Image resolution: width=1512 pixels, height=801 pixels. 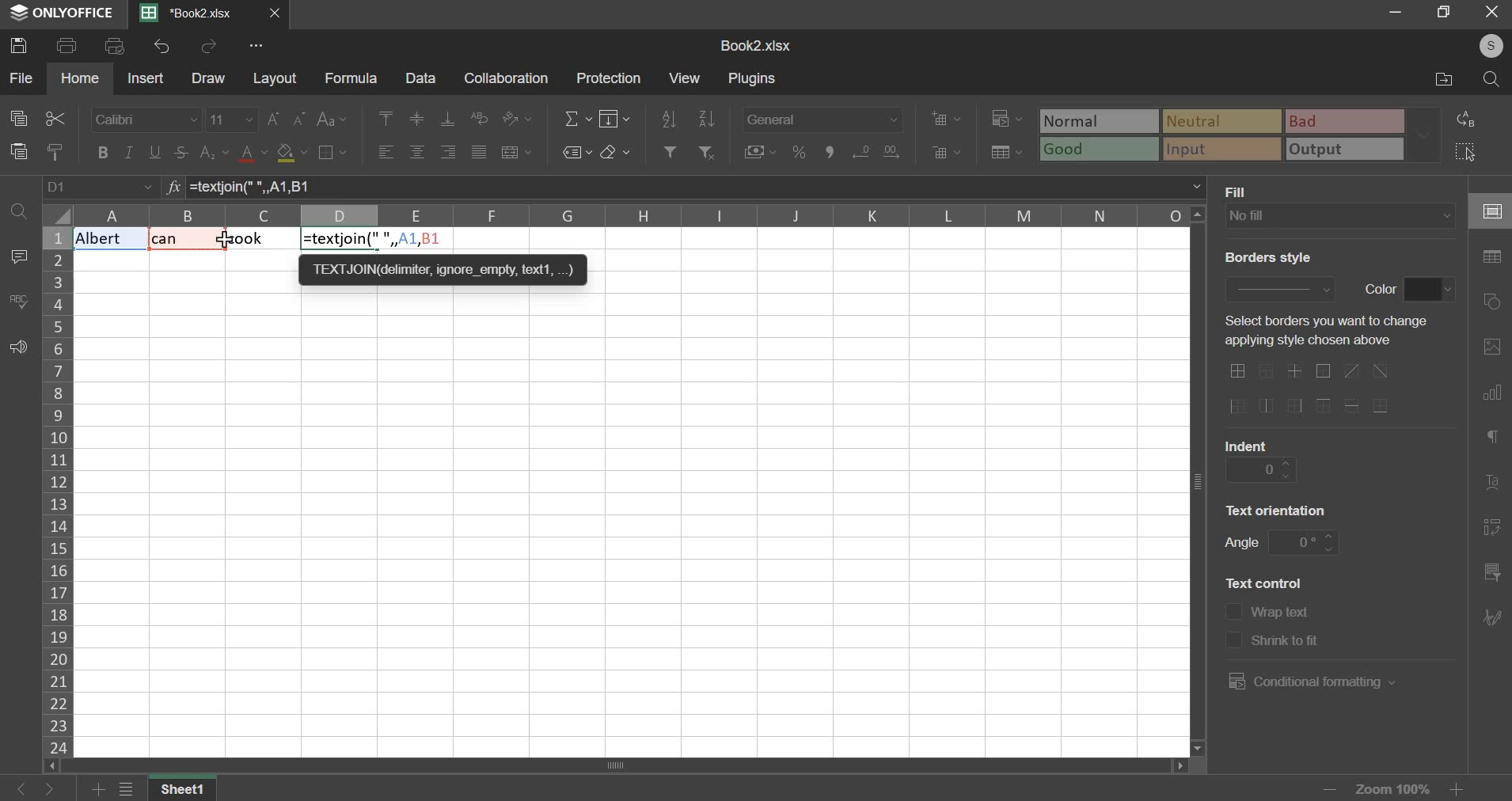 What do you see at coordinates (145, 120) in the screenshot?
I see `font` at bounding box center [145, 120].